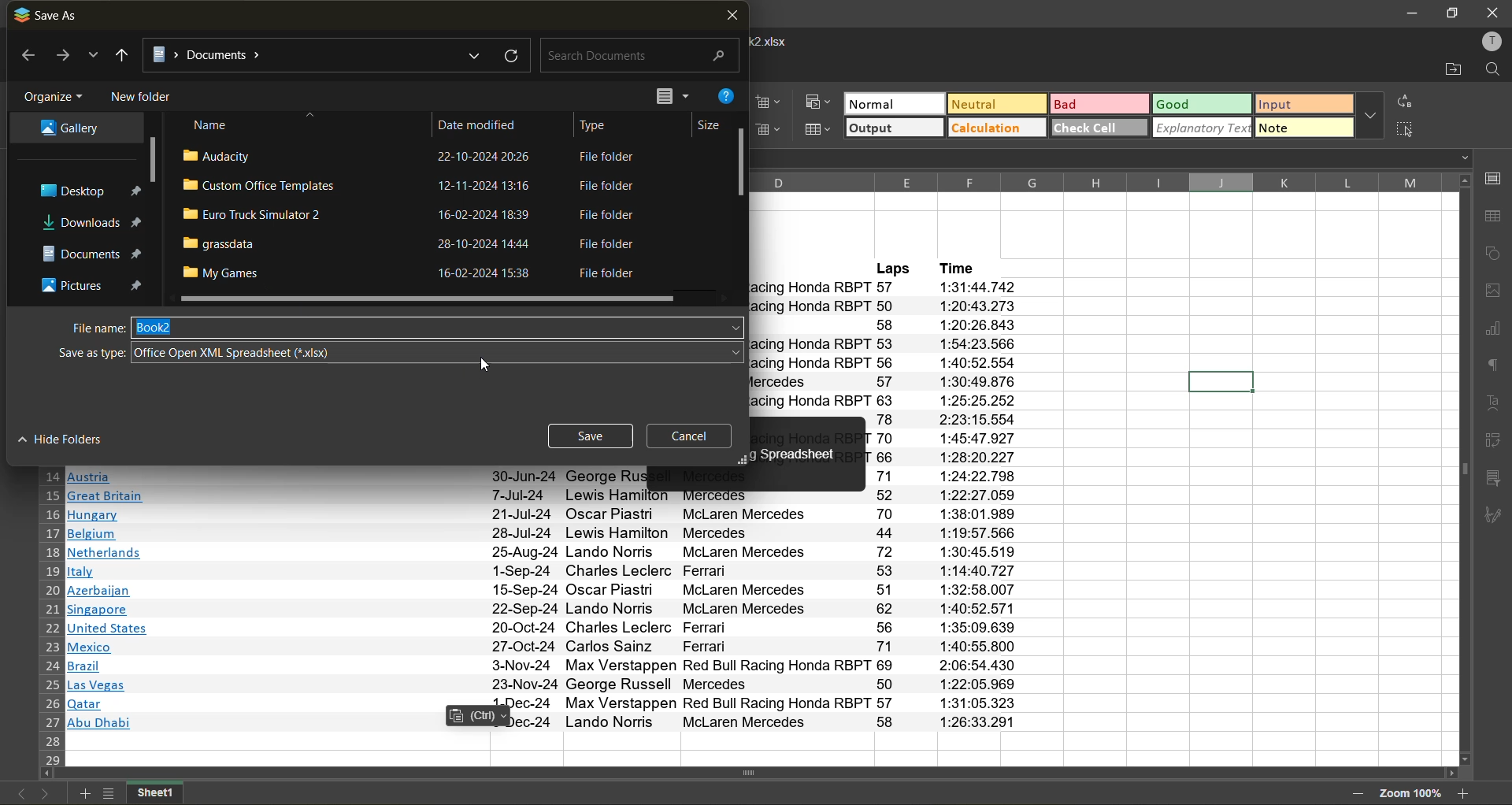 The height and width of the screenshot is (805, 1512). Describe the element at coordinates (1410, 792) in the screenshot. I see `zoom factor` at that location.